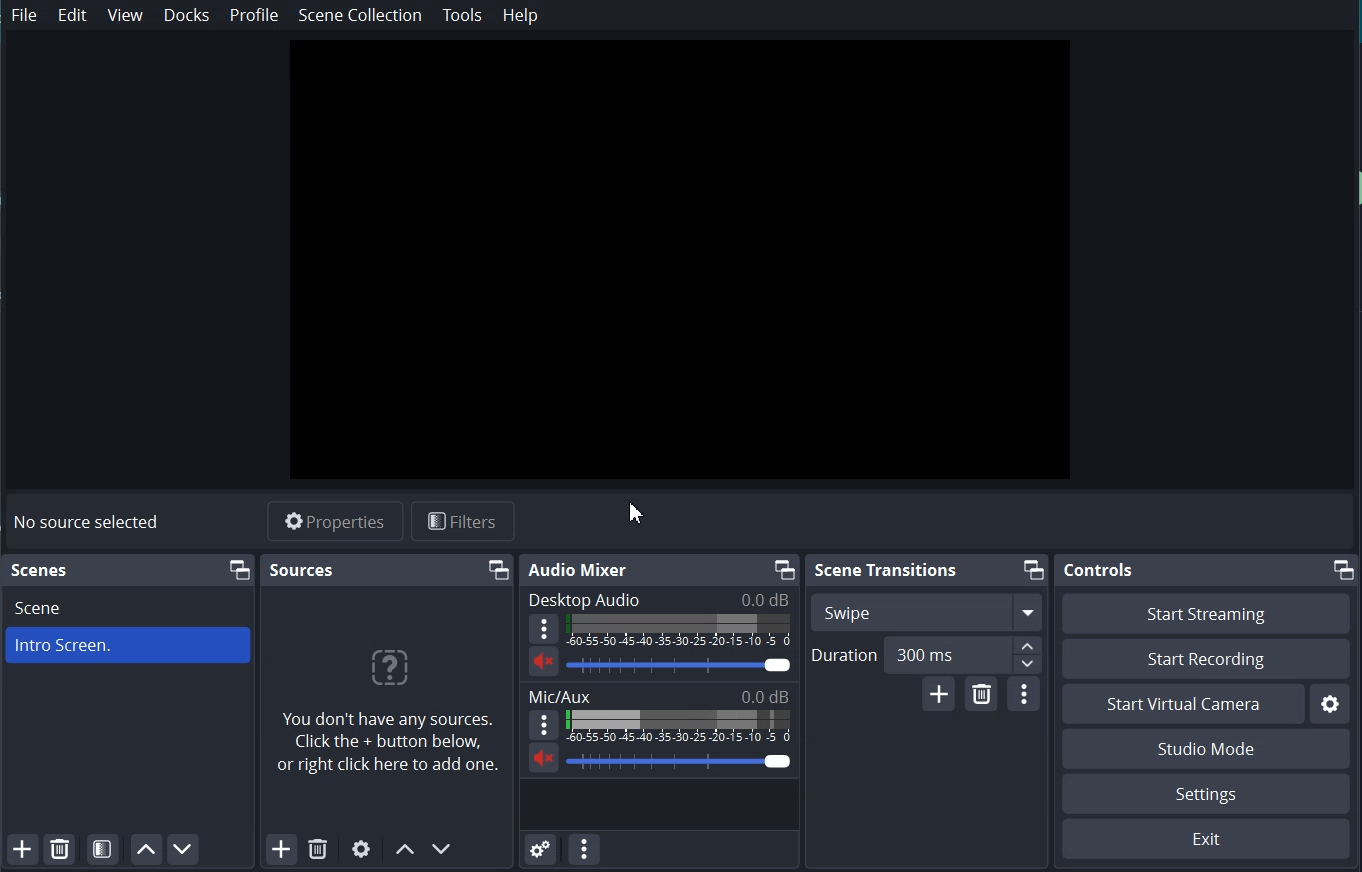 This screenshot has height=872, width=1362. Describe the element at coordinates (463, 16) in the screenshot. I see `Tools` at that location.